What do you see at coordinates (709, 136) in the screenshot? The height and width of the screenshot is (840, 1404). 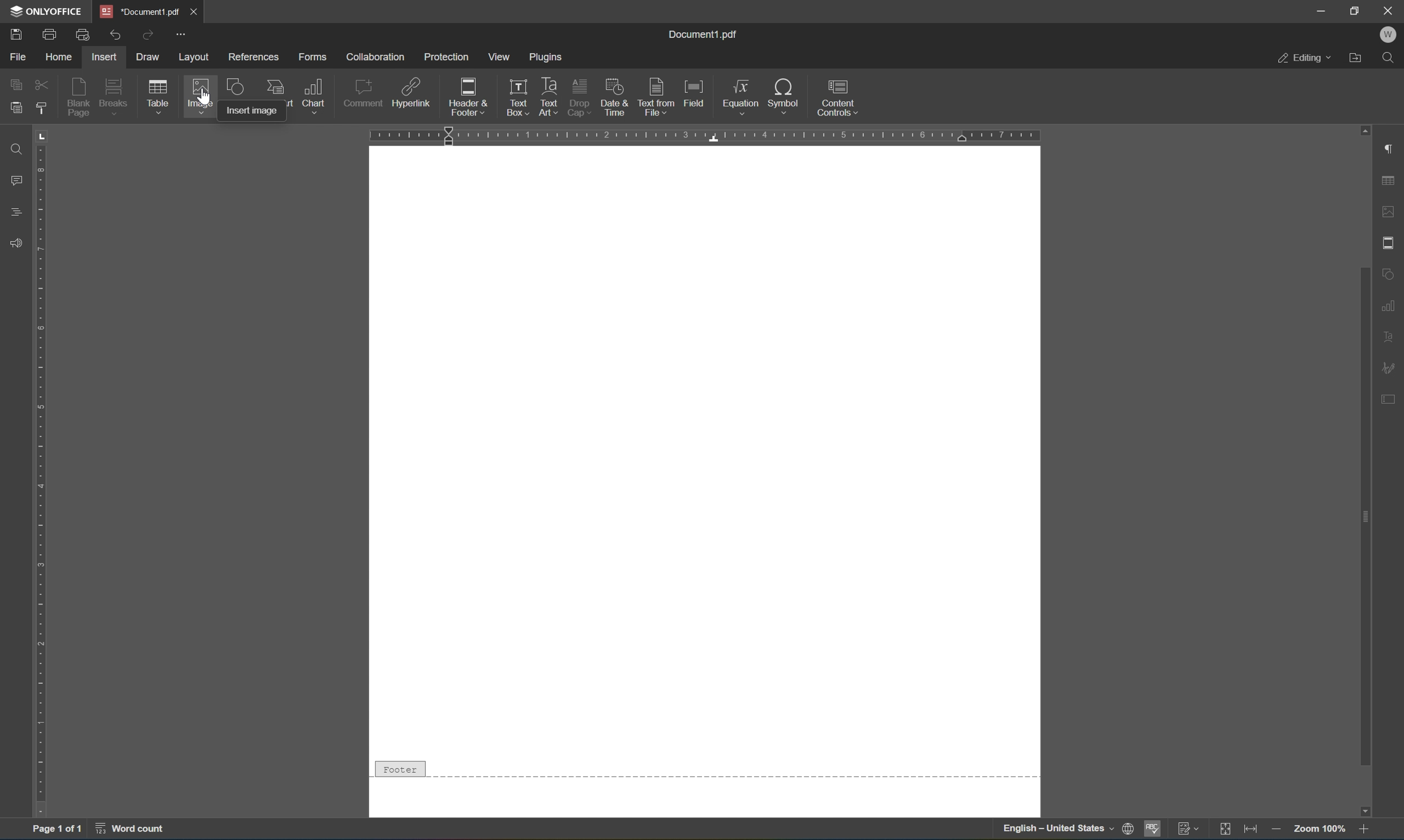 I see `ruler` at bounding box center [709, 136].